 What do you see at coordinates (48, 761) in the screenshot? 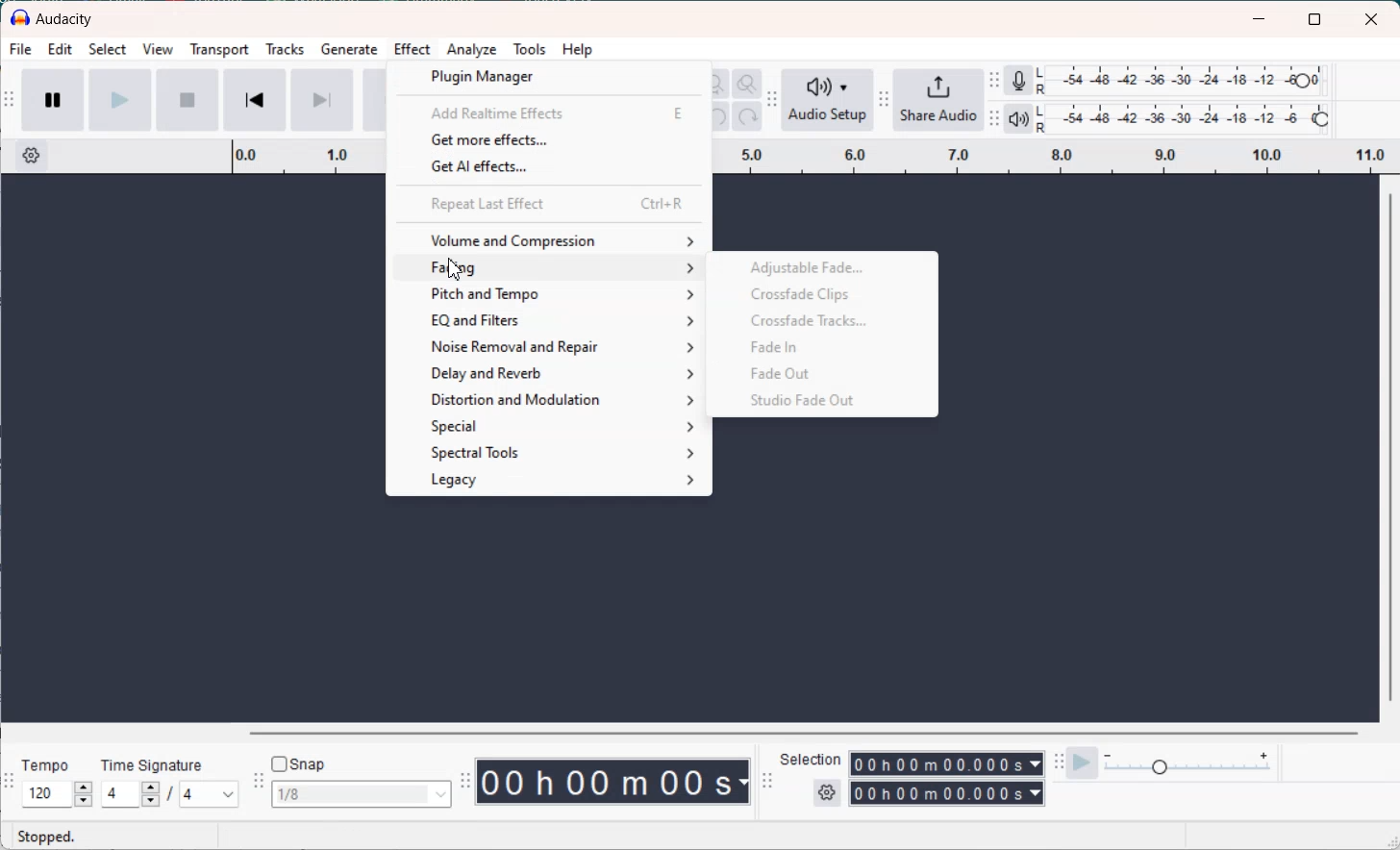
I see `Tempo` at bounding box center [48, 761].